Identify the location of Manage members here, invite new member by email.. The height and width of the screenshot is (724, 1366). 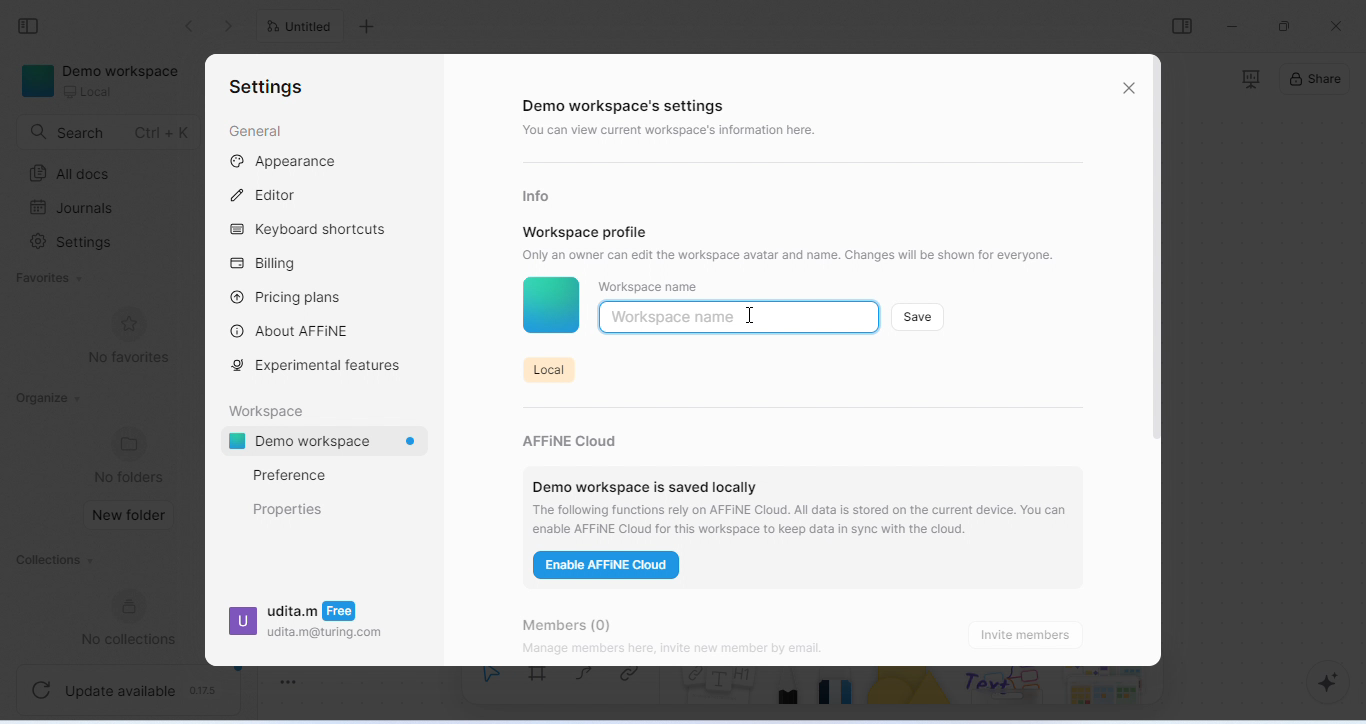
(714, 650).